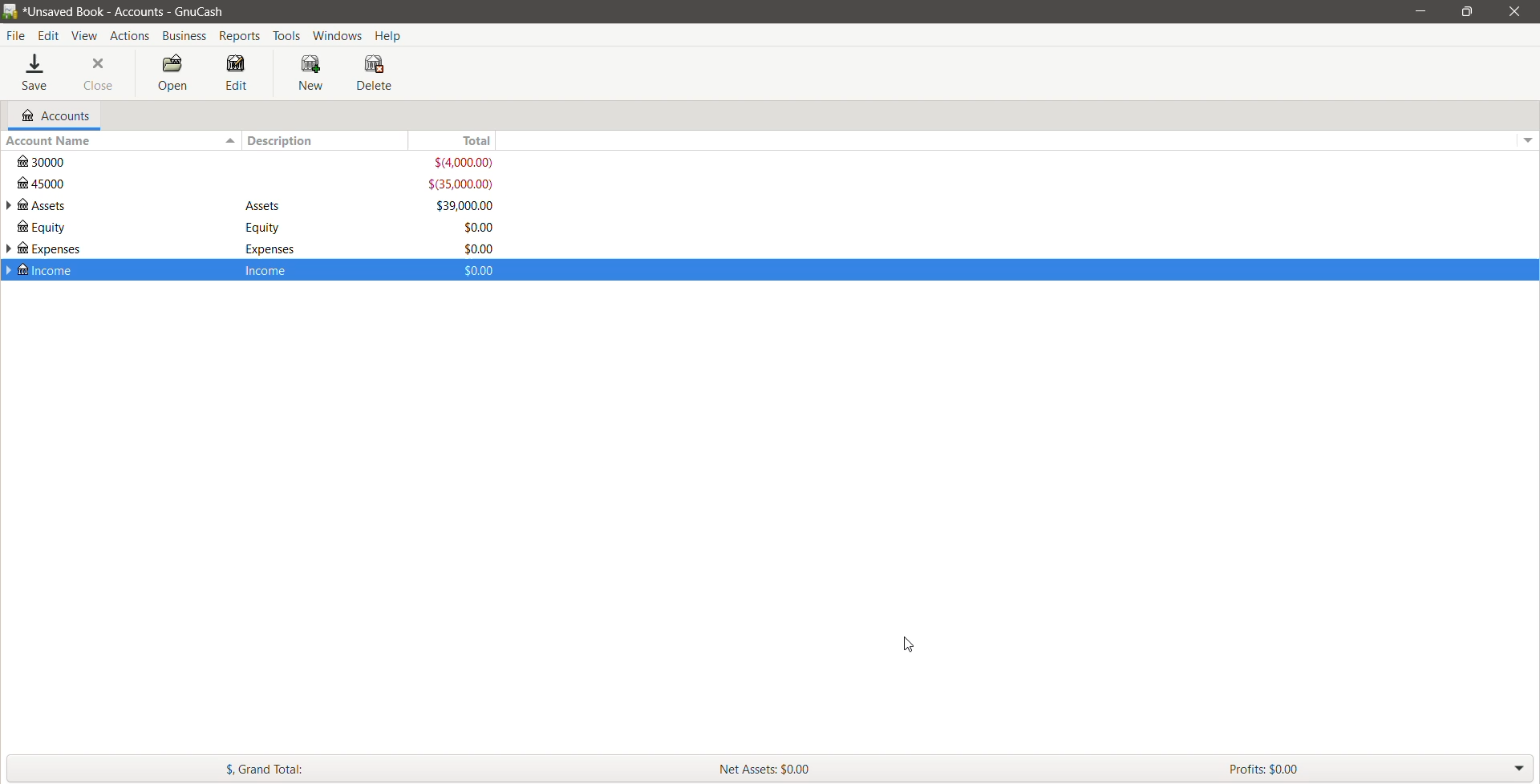 The width and height of the screenshot is (1540, 784). I want to click on Current Book Name - Accounts - Application Name, so click(136, 11).